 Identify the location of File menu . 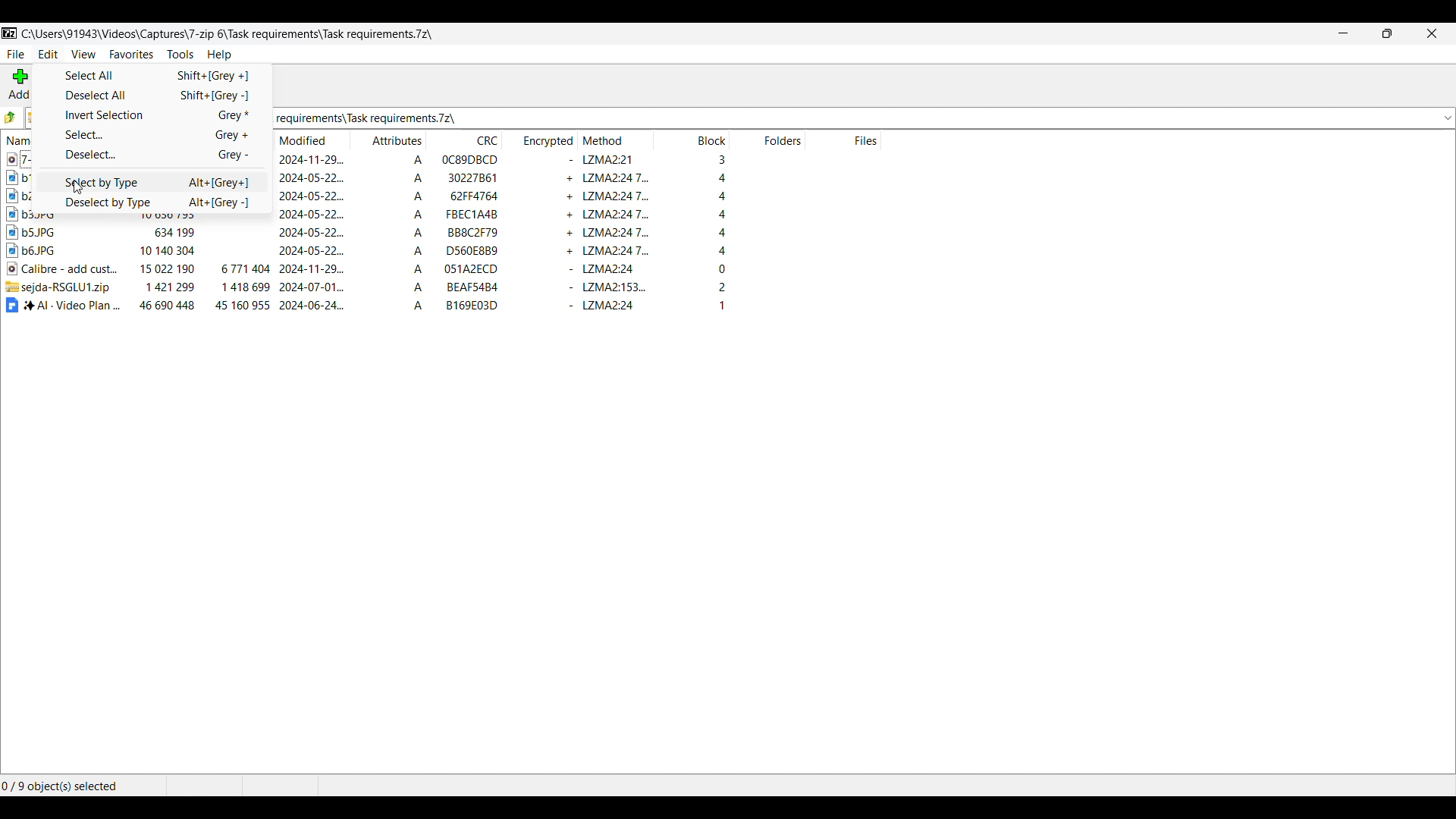
(15, 54).